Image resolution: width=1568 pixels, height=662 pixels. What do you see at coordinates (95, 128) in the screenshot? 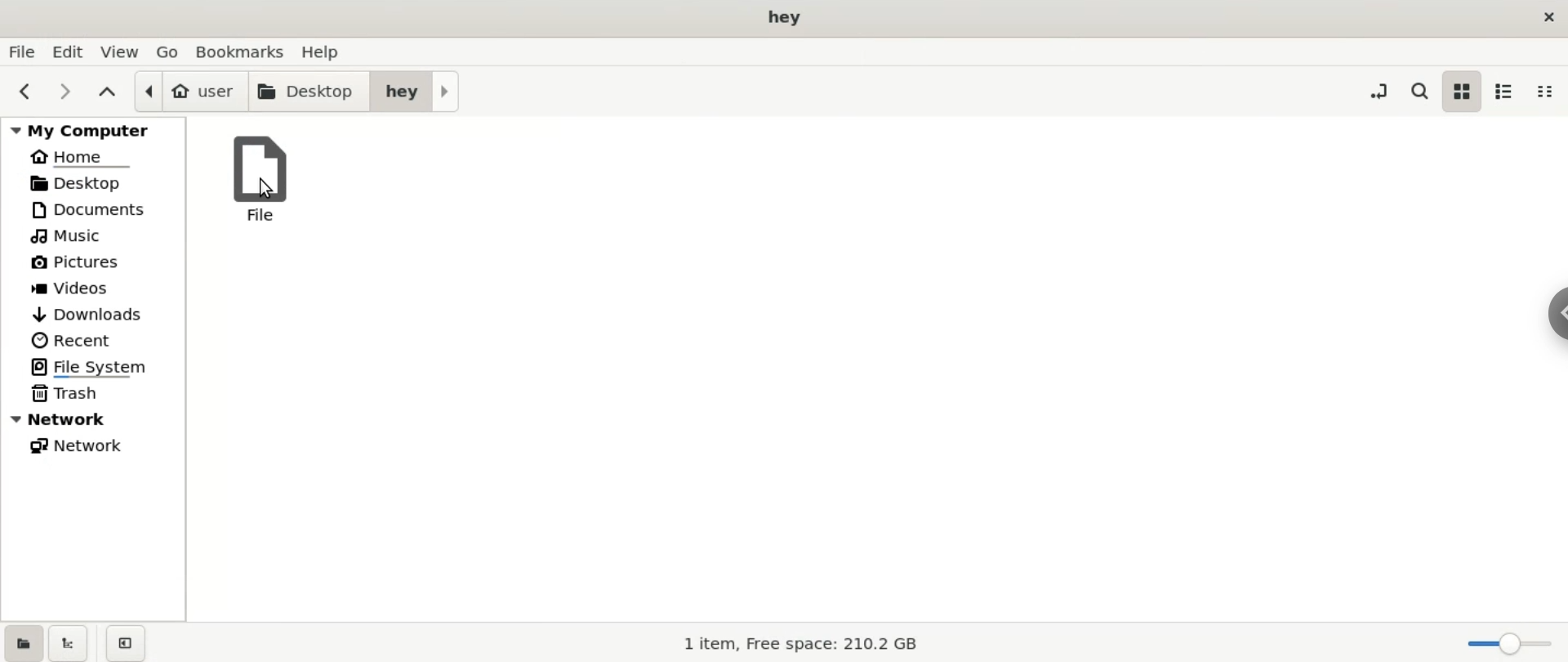
I see `mycomputre` at bounding box center [95, 128].